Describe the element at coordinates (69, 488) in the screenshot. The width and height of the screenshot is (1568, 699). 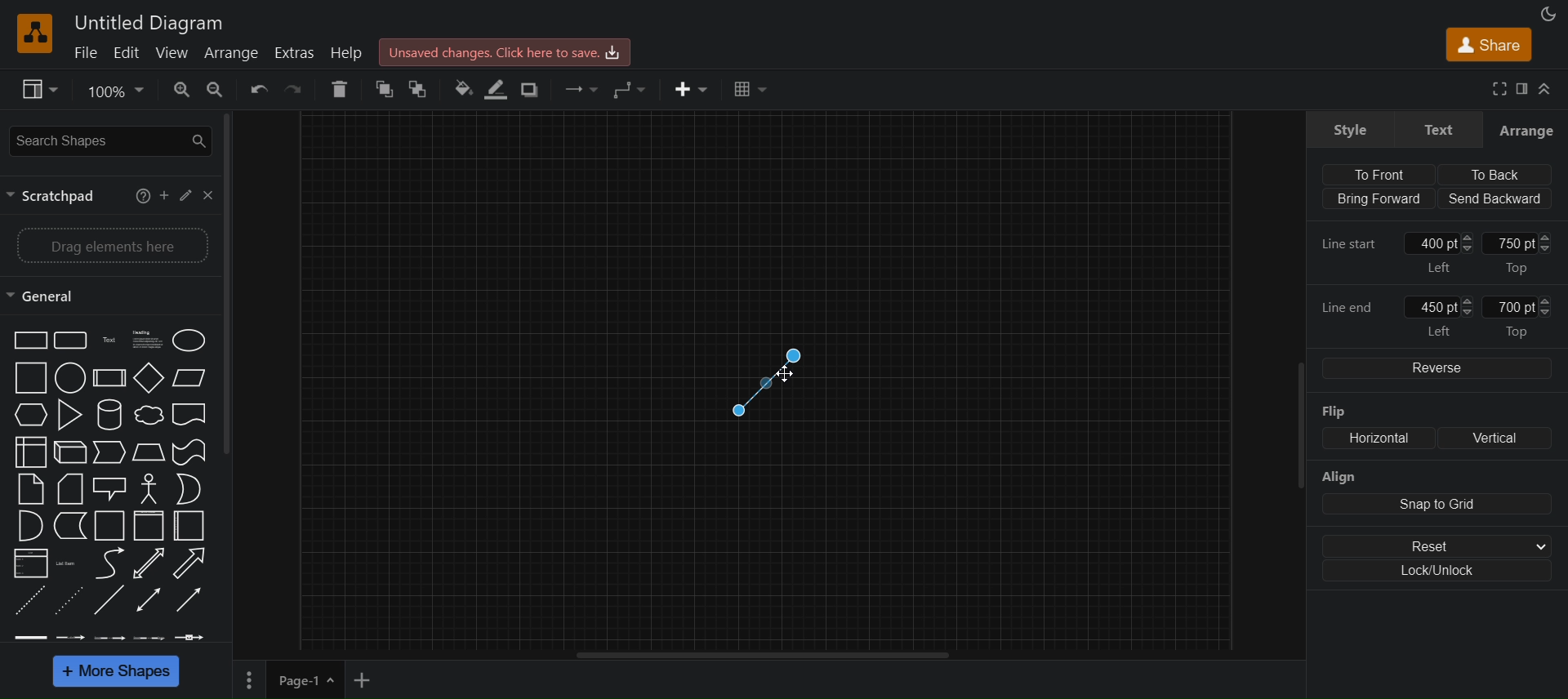
I see `Card` at that location.